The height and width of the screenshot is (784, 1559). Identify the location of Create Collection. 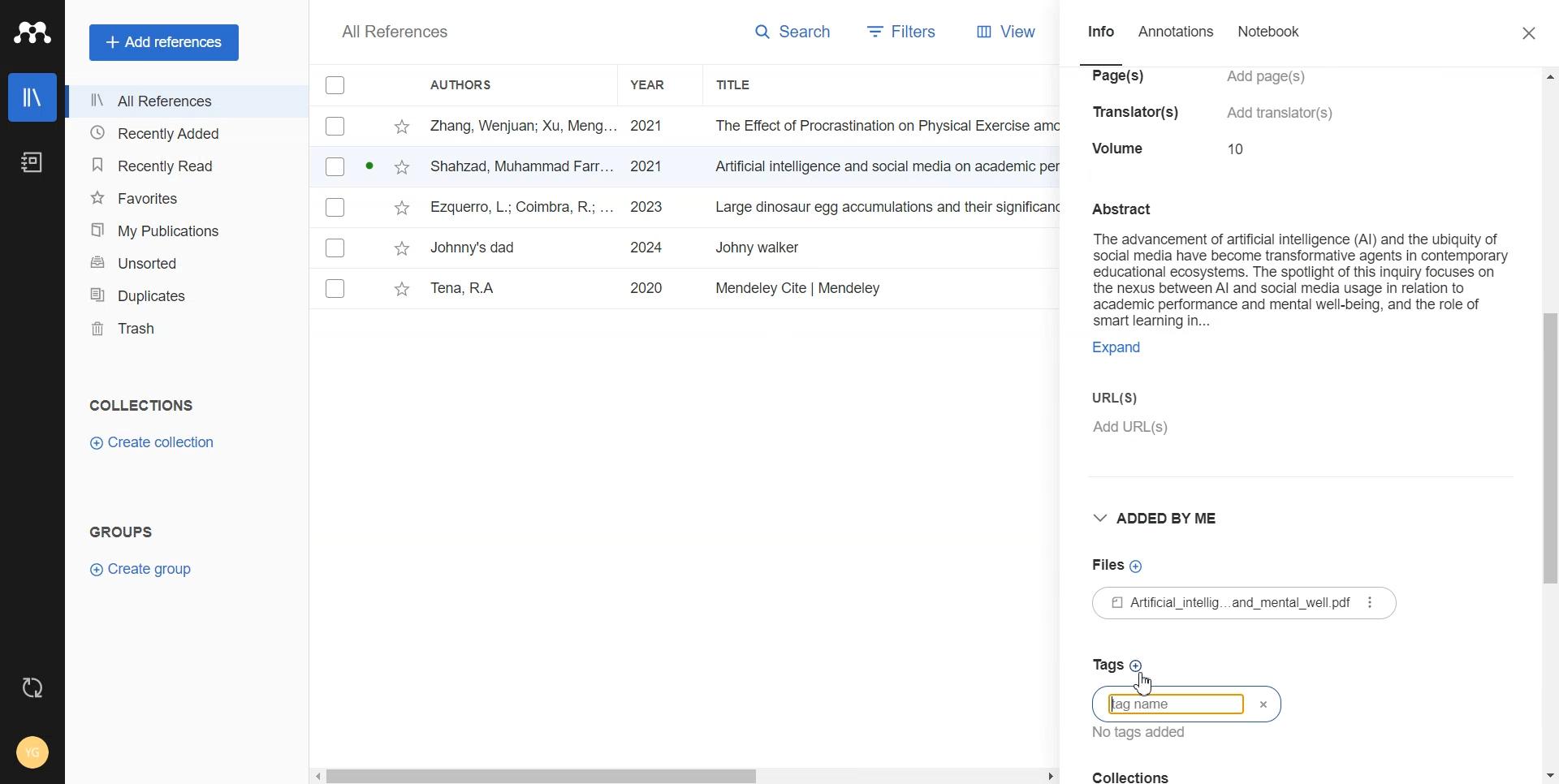
(154, 443).